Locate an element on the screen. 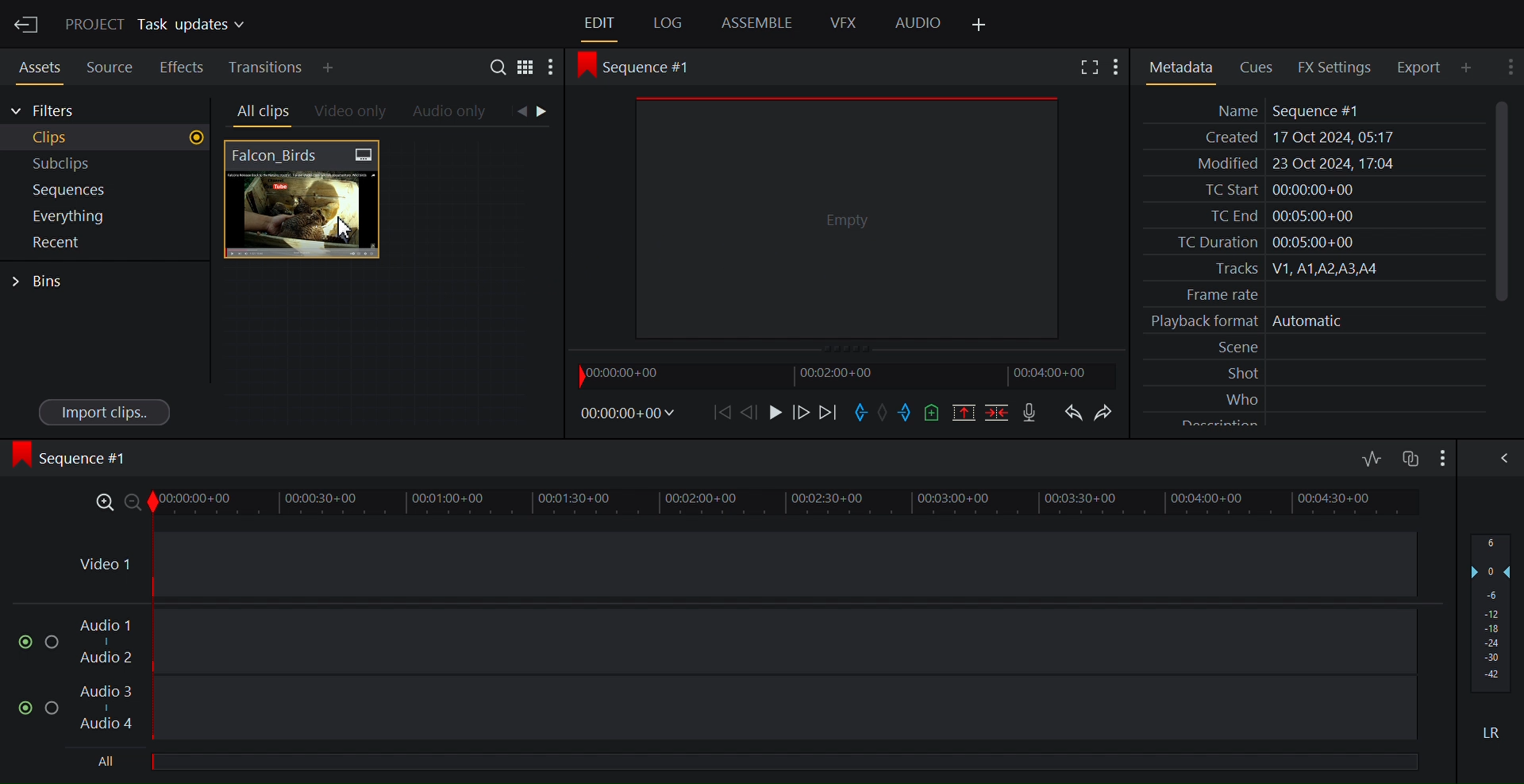 This screenshot has width=1524, height=784. Mark out is located at coordinates (909, 412).